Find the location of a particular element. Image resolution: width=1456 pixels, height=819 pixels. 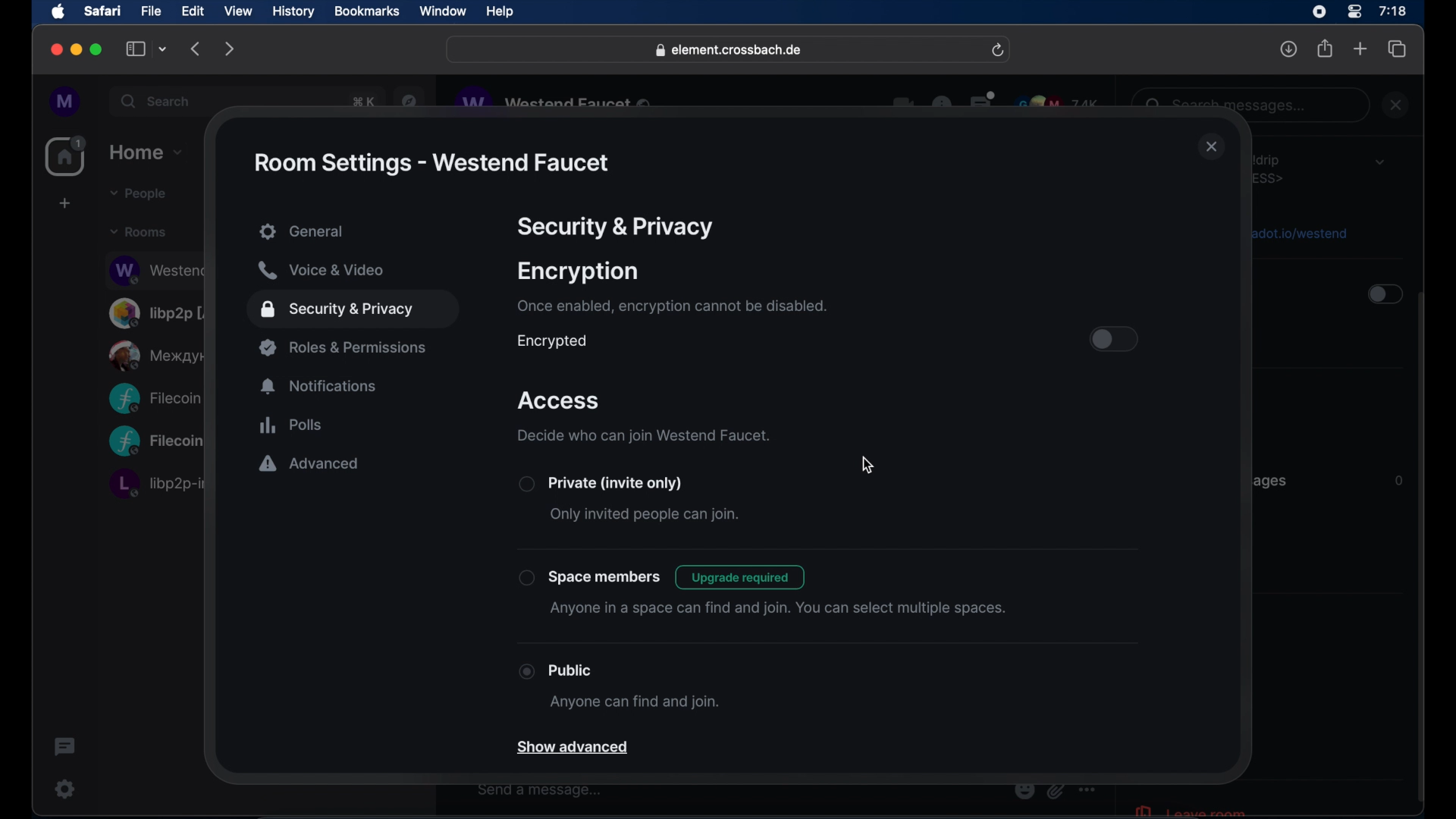

access is located at coordinates (560, 402).